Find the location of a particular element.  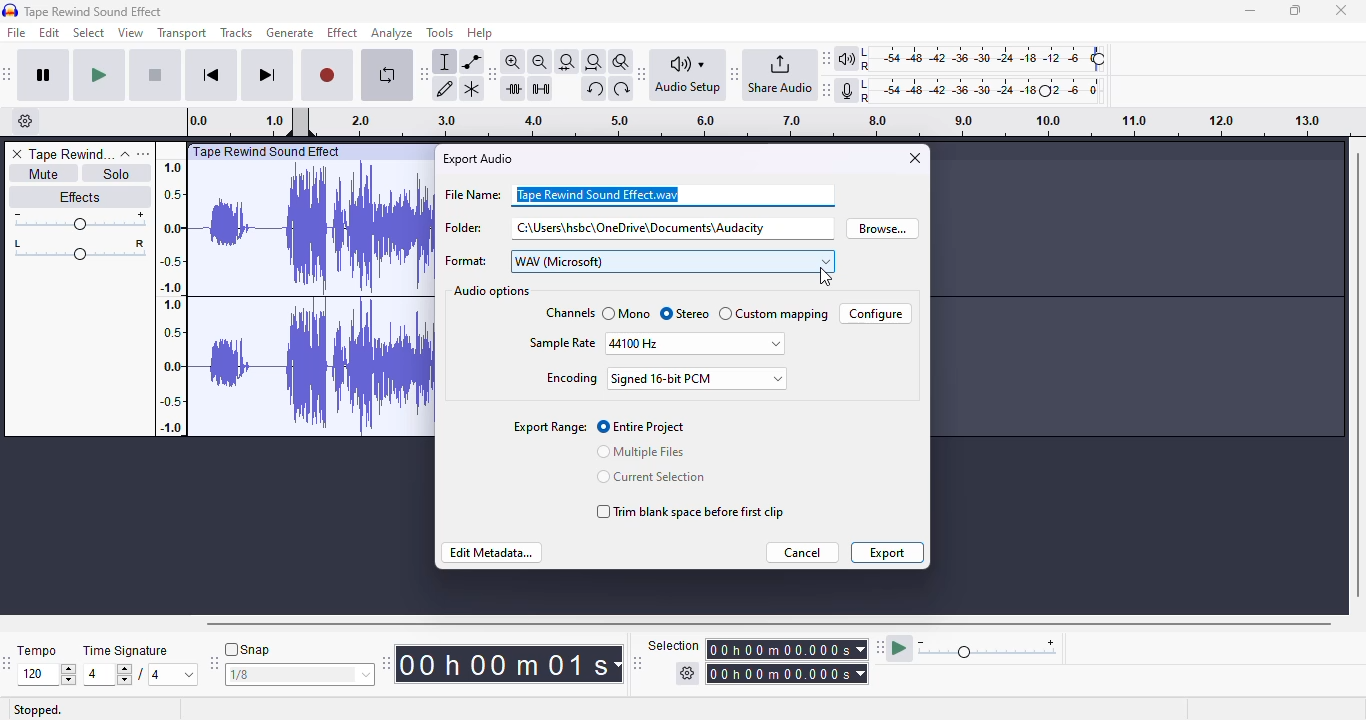

undo is located at coordinates (594, 89).